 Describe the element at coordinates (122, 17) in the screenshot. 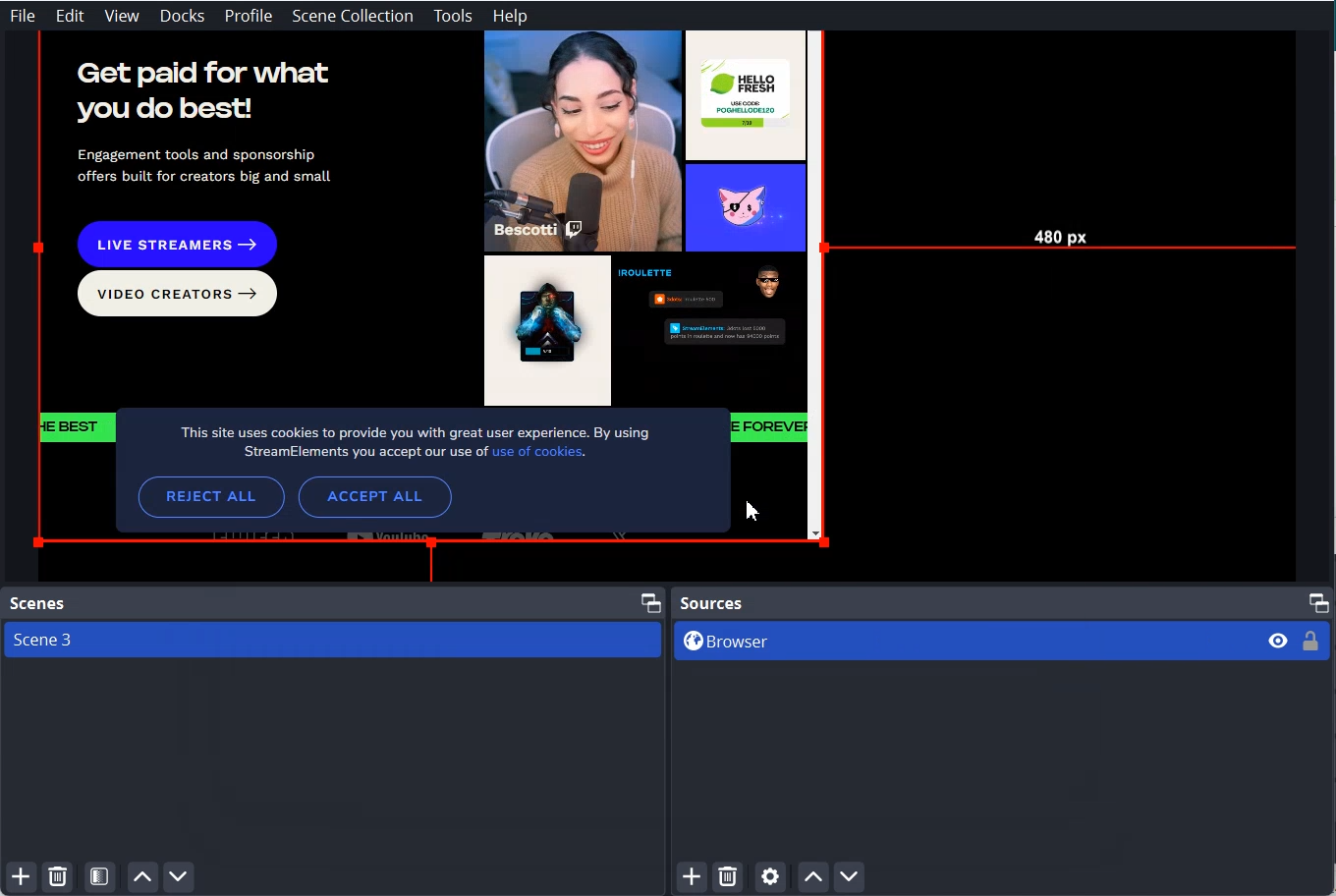

I see `View` at that location.